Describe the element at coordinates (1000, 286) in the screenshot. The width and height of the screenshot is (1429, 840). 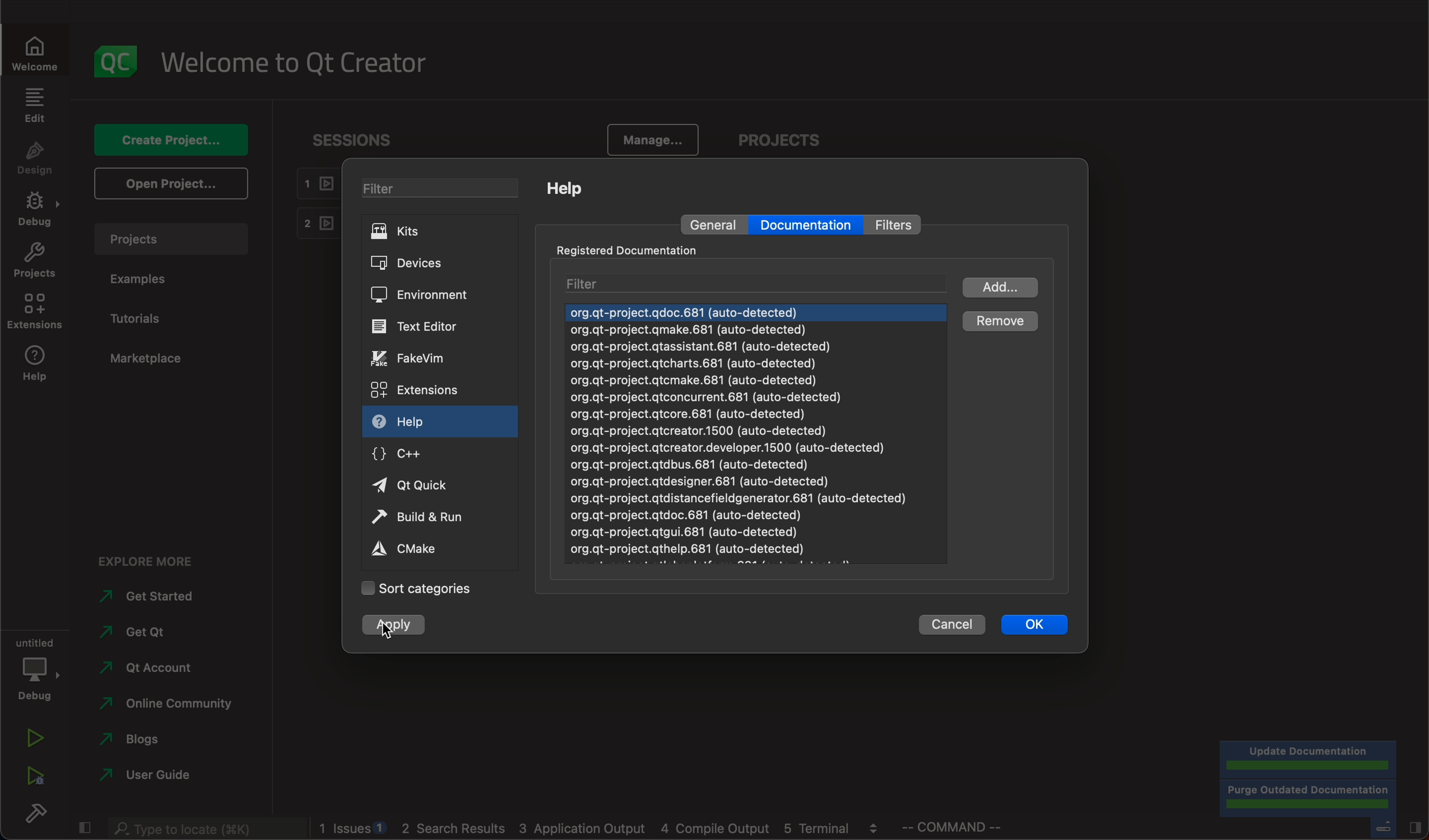
I see `add` at that location.